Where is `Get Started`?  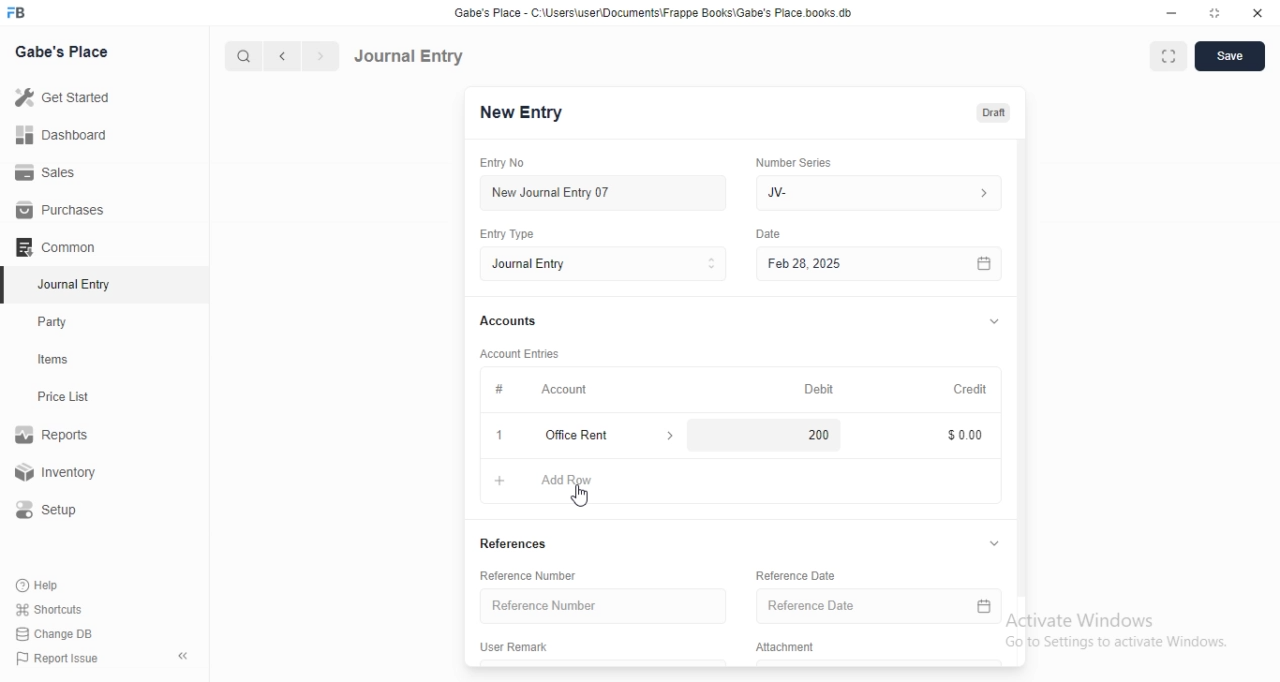 Get Started is located at coordinates (61, 99).